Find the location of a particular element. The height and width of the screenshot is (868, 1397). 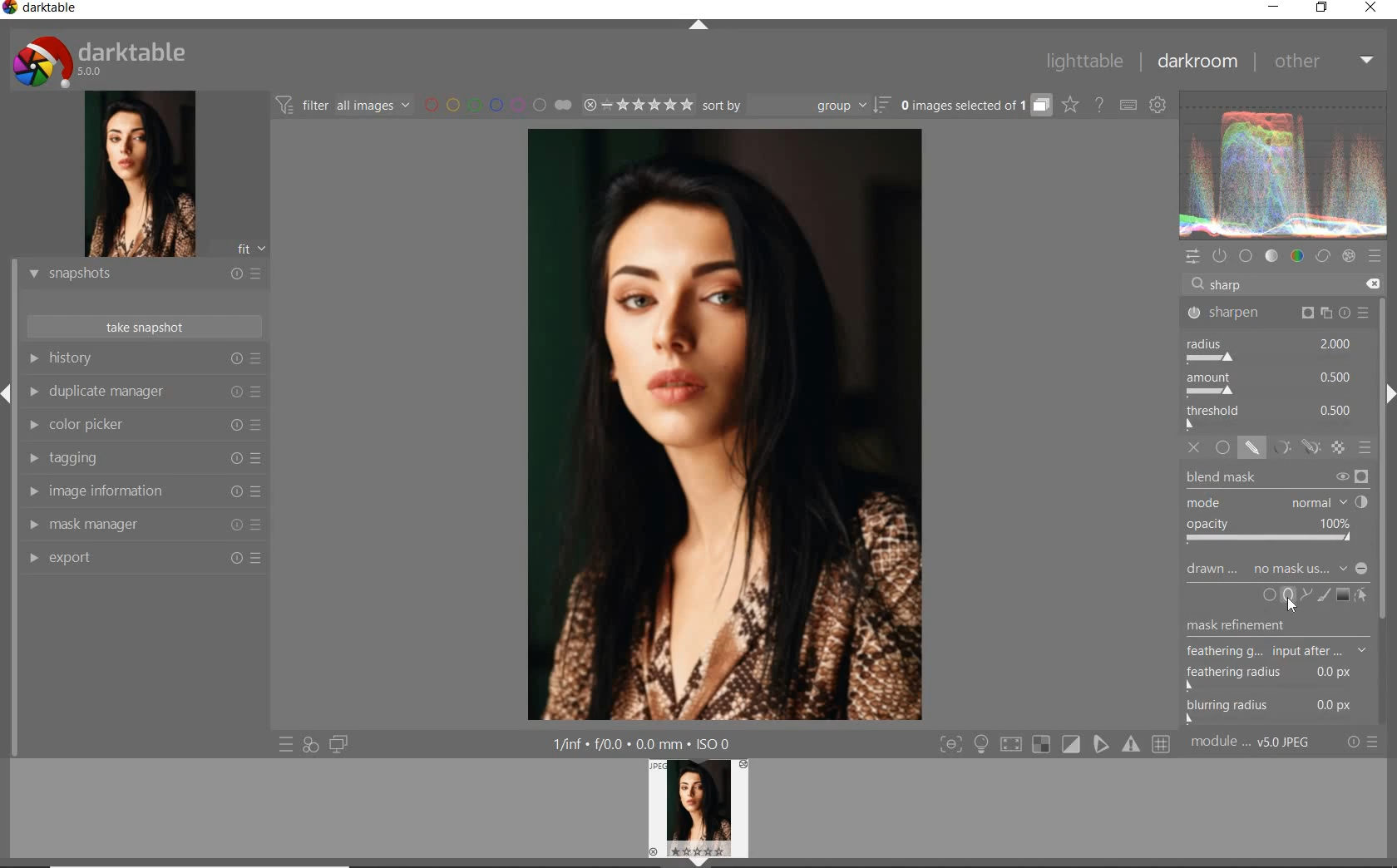

grouped images is located at coordinates (976, 106).